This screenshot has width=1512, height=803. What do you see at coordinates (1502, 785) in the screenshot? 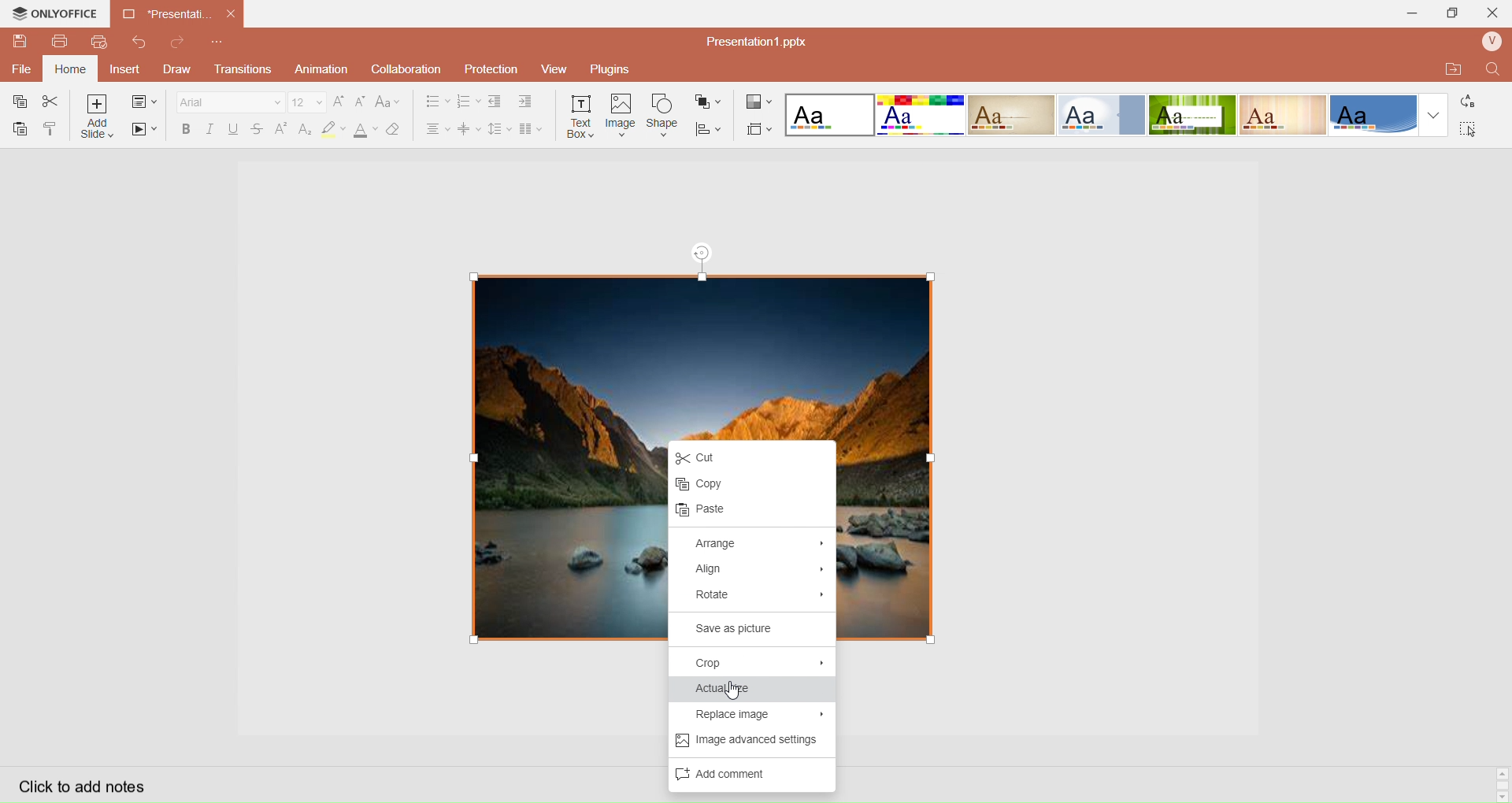
I see `Scroll bar` at bounding box center [1502, 785].